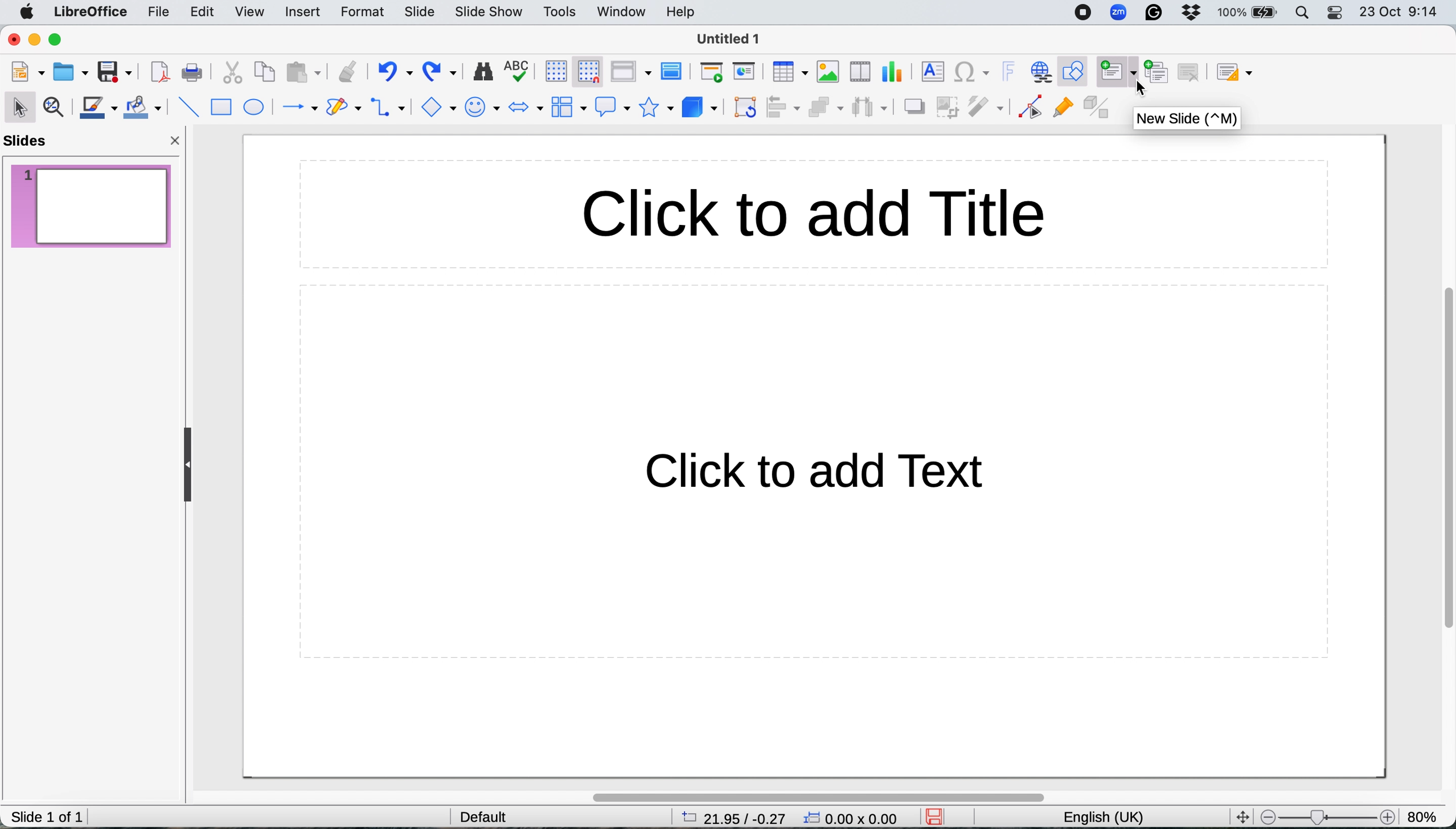 The width and height of the screenshot is (1456, 829). What do you see at coordinates (1121, 14) in the screenshot?
I see `zoom` at bounding box center [1121, 14].